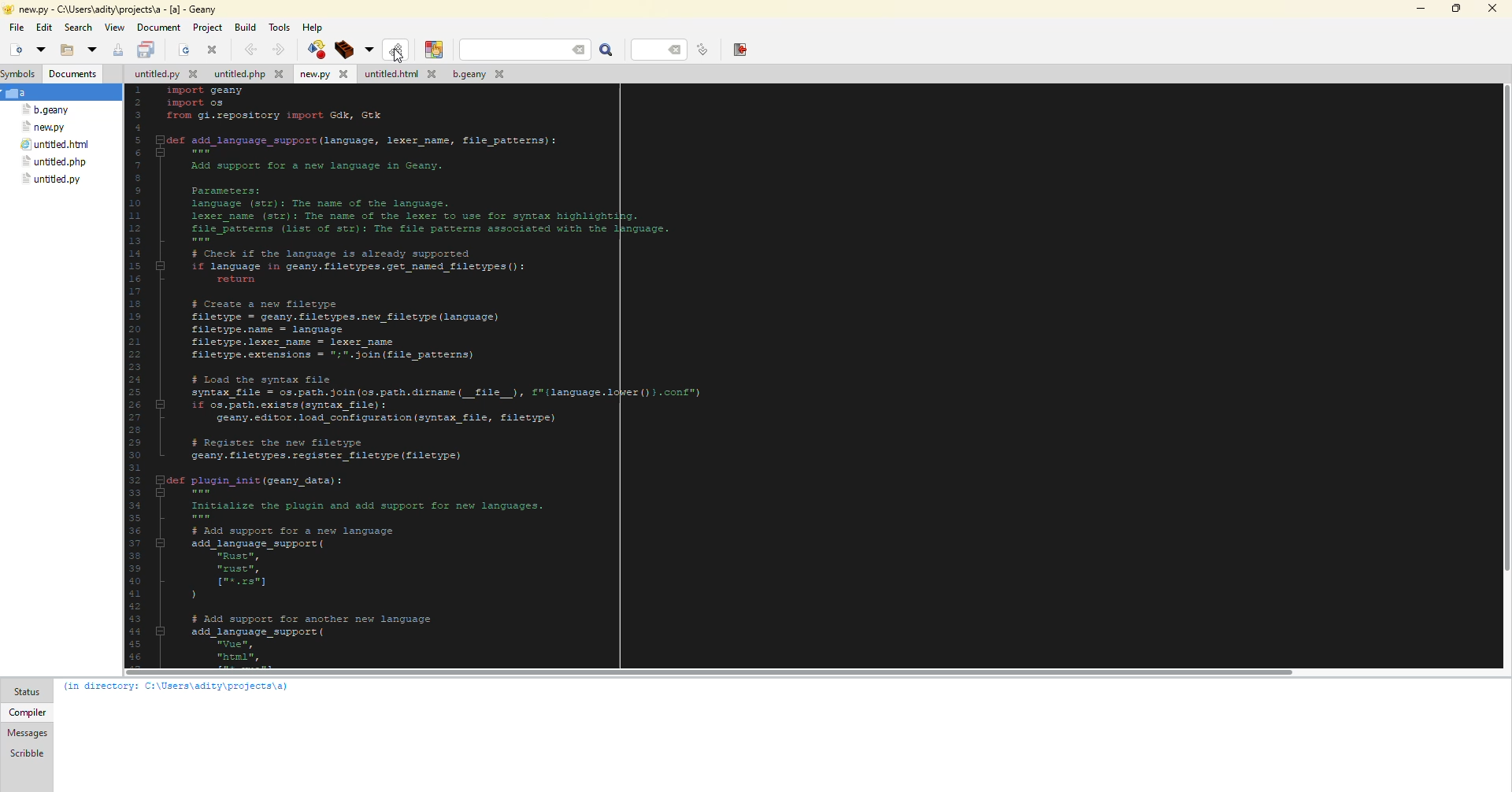 The width and height of the screenshot is (1512, 792). I want to click on compiler, so click(28, 712).